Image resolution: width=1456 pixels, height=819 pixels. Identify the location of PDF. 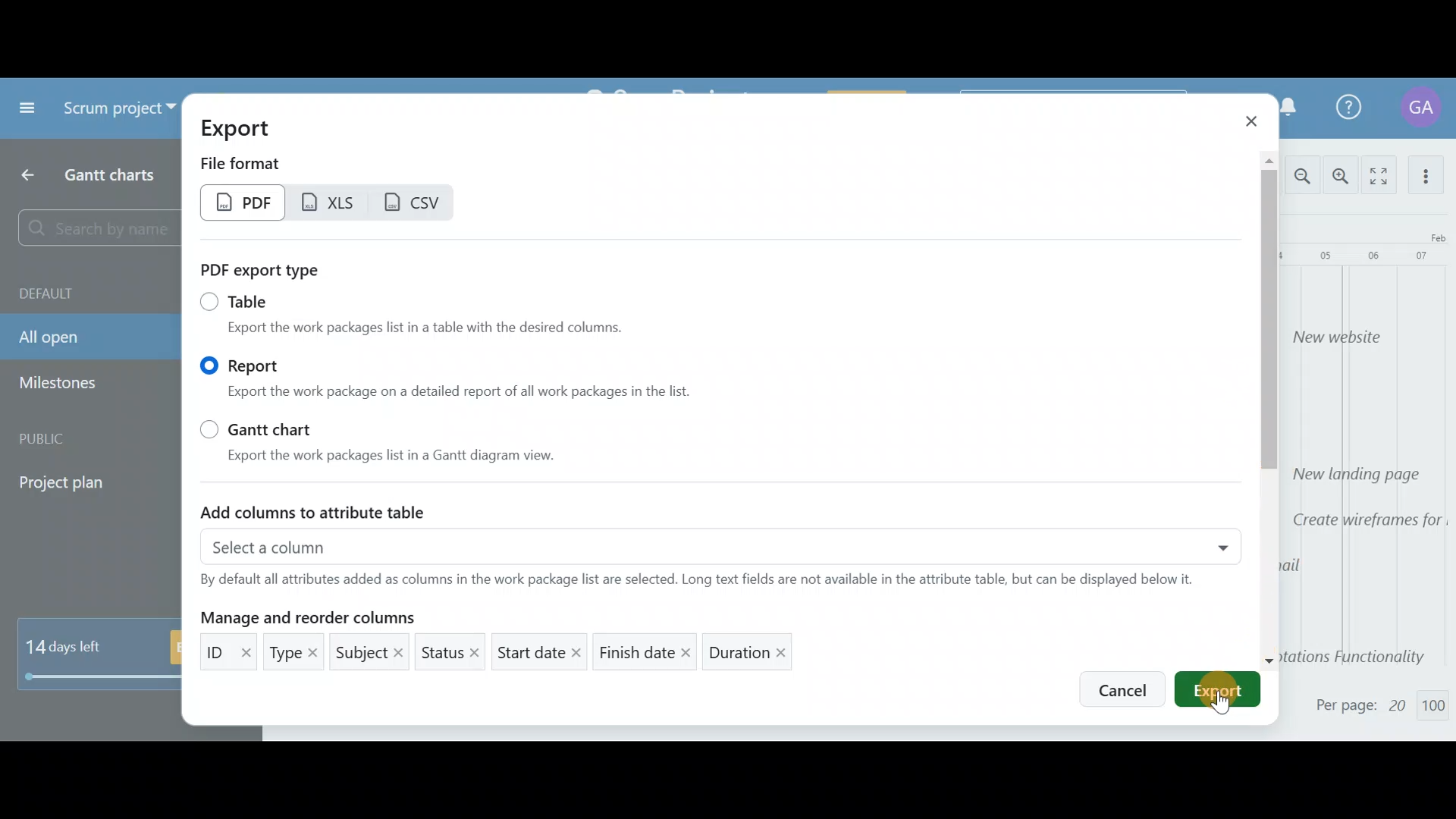
(243, 205).